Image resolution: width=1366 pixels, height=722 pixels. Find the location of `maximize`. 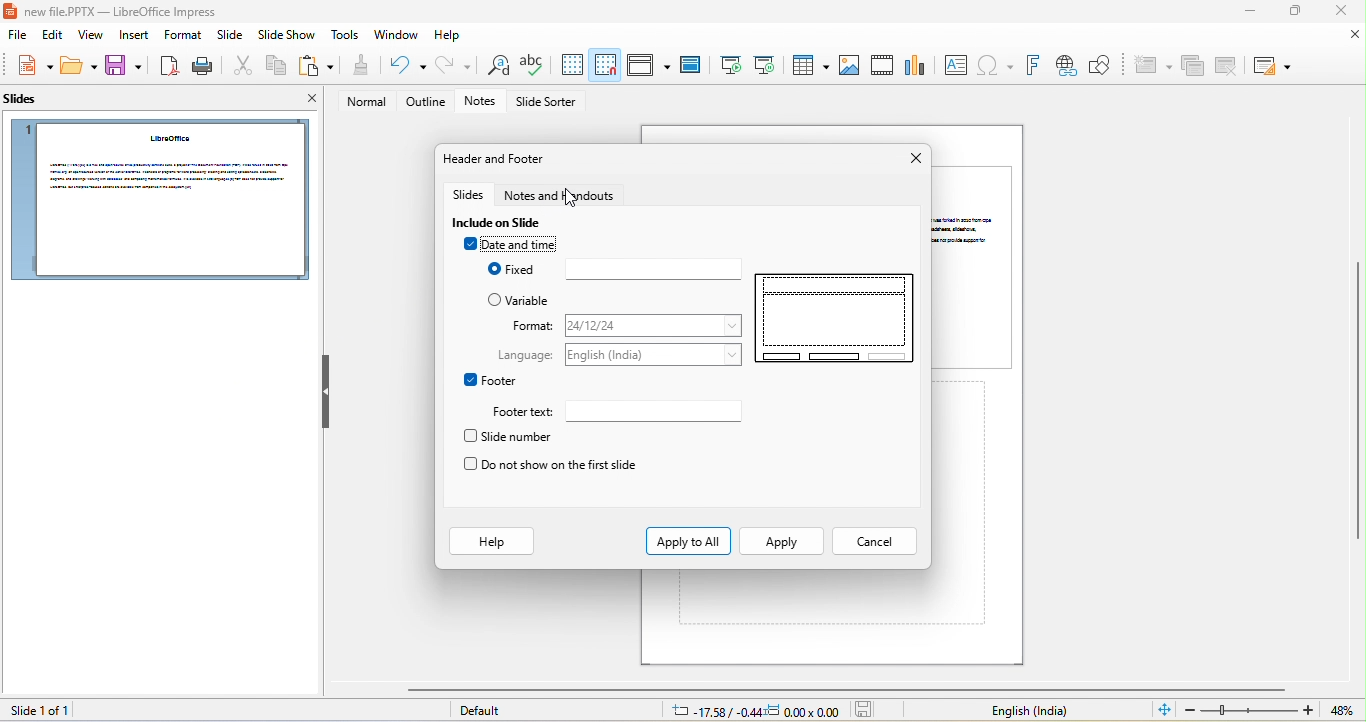

maximize is located at coordinates (1293, 12).